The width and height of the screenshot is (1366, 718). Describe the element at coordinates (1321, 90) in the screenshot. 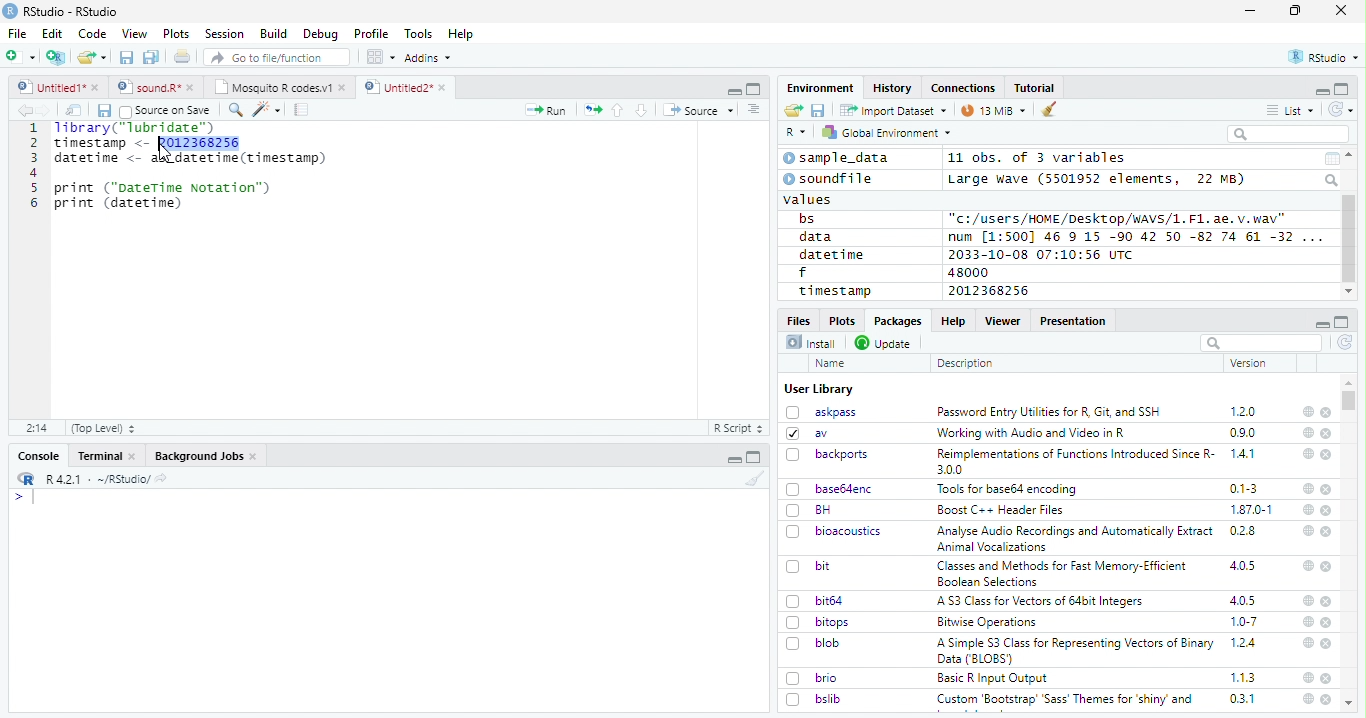

I see `minimize` at that location.